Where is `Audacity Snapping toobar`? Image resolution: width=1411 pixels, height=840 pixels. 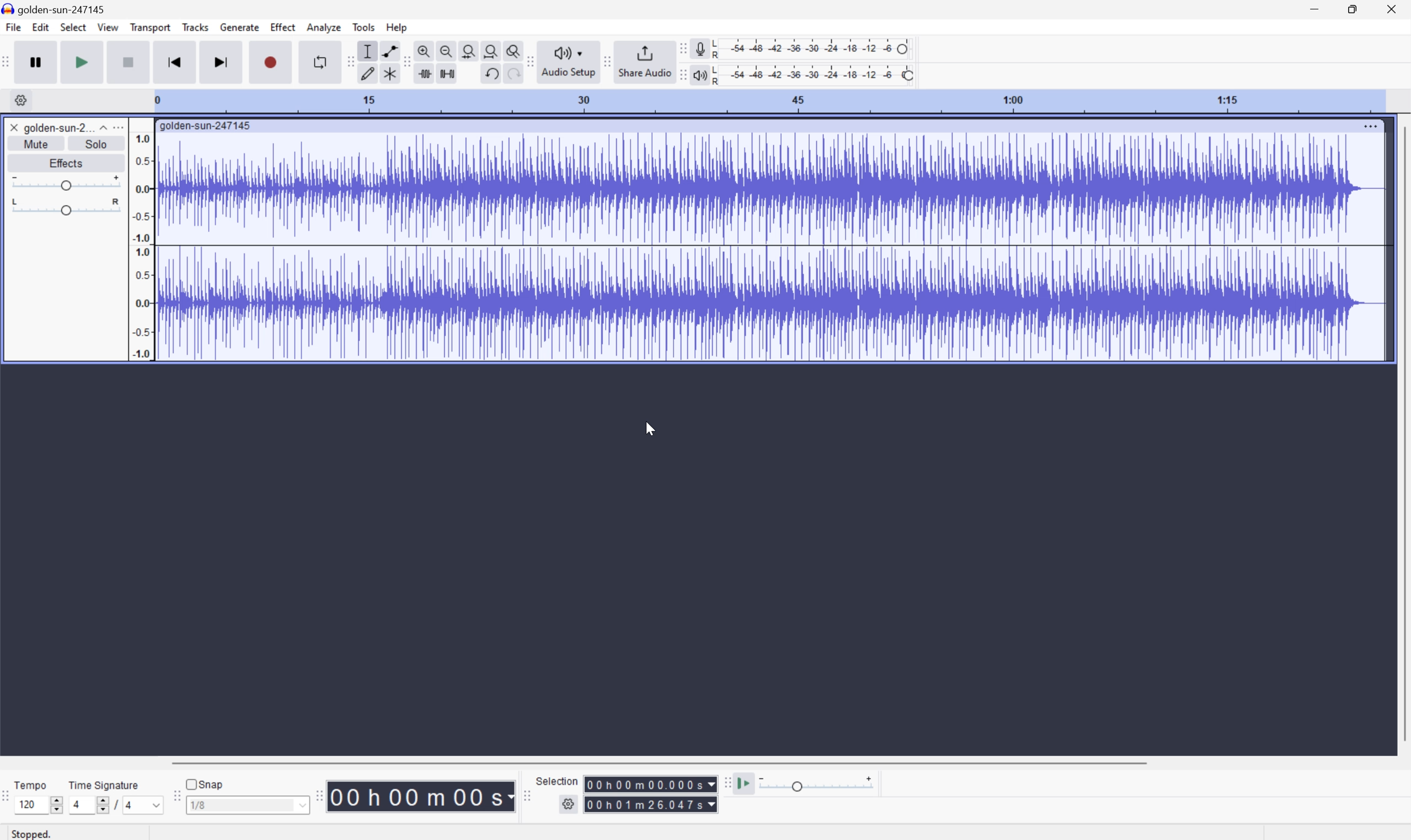 Audacity Snapping toobar is located at coordinates (174, 797).